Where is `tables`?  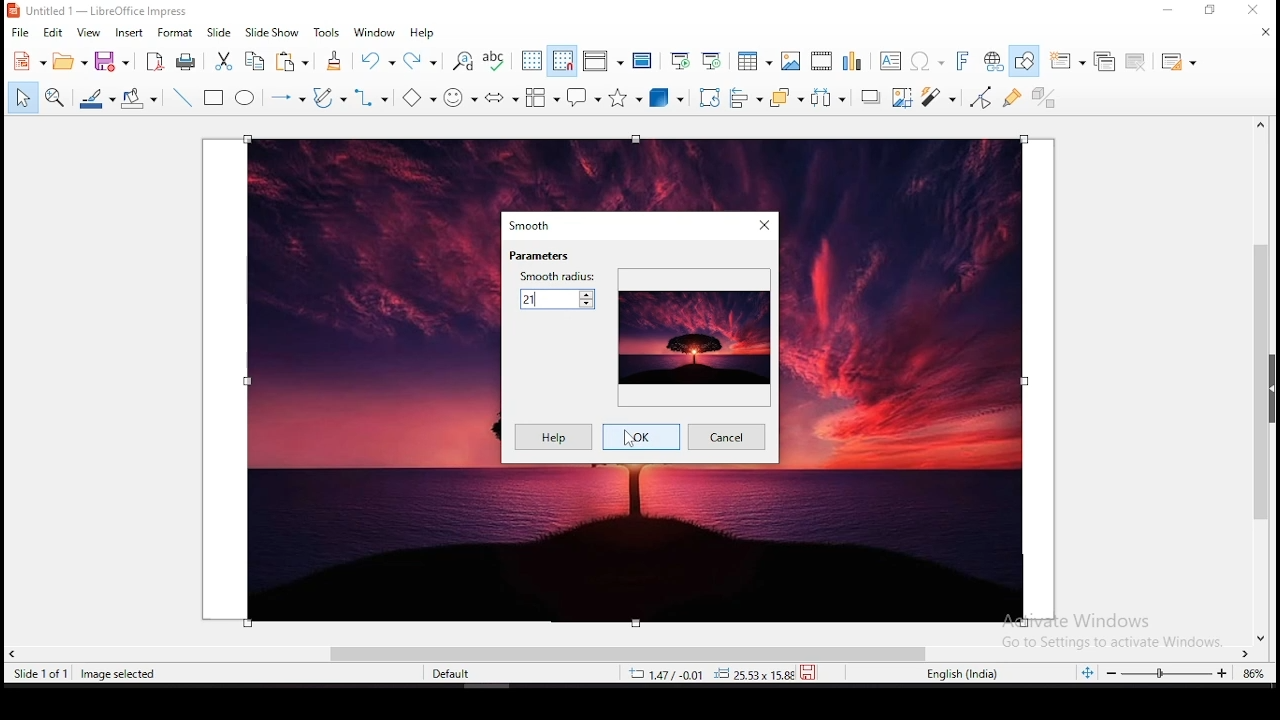 tables is located at coordinates (752, 61).